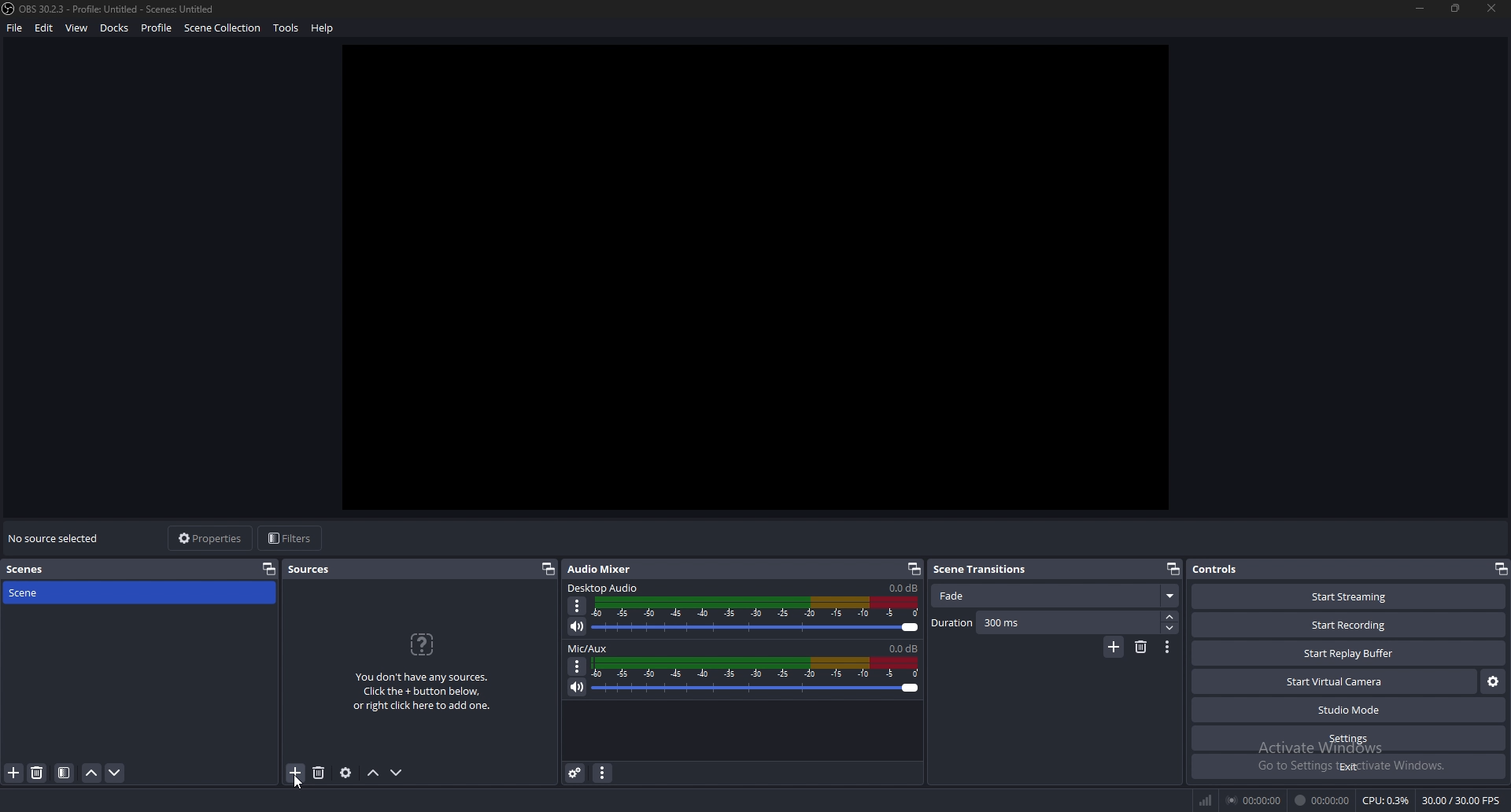  I want to click on start replay buffer, so click(1350, 653).